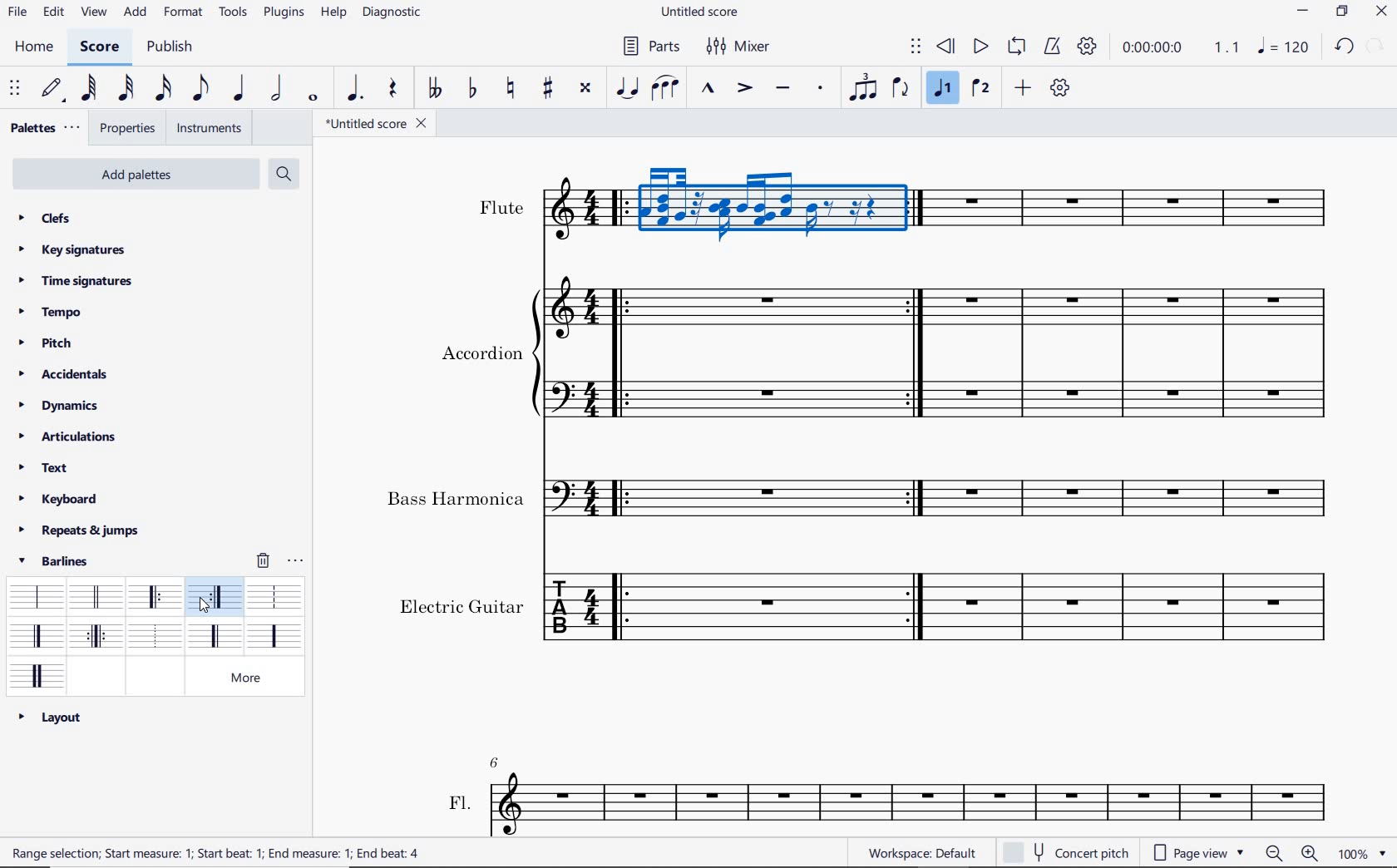 This screenshot has width=1397, height=868. Describe the element at coordinates (745, 89) in the screenshot. I see `accent` at that location.